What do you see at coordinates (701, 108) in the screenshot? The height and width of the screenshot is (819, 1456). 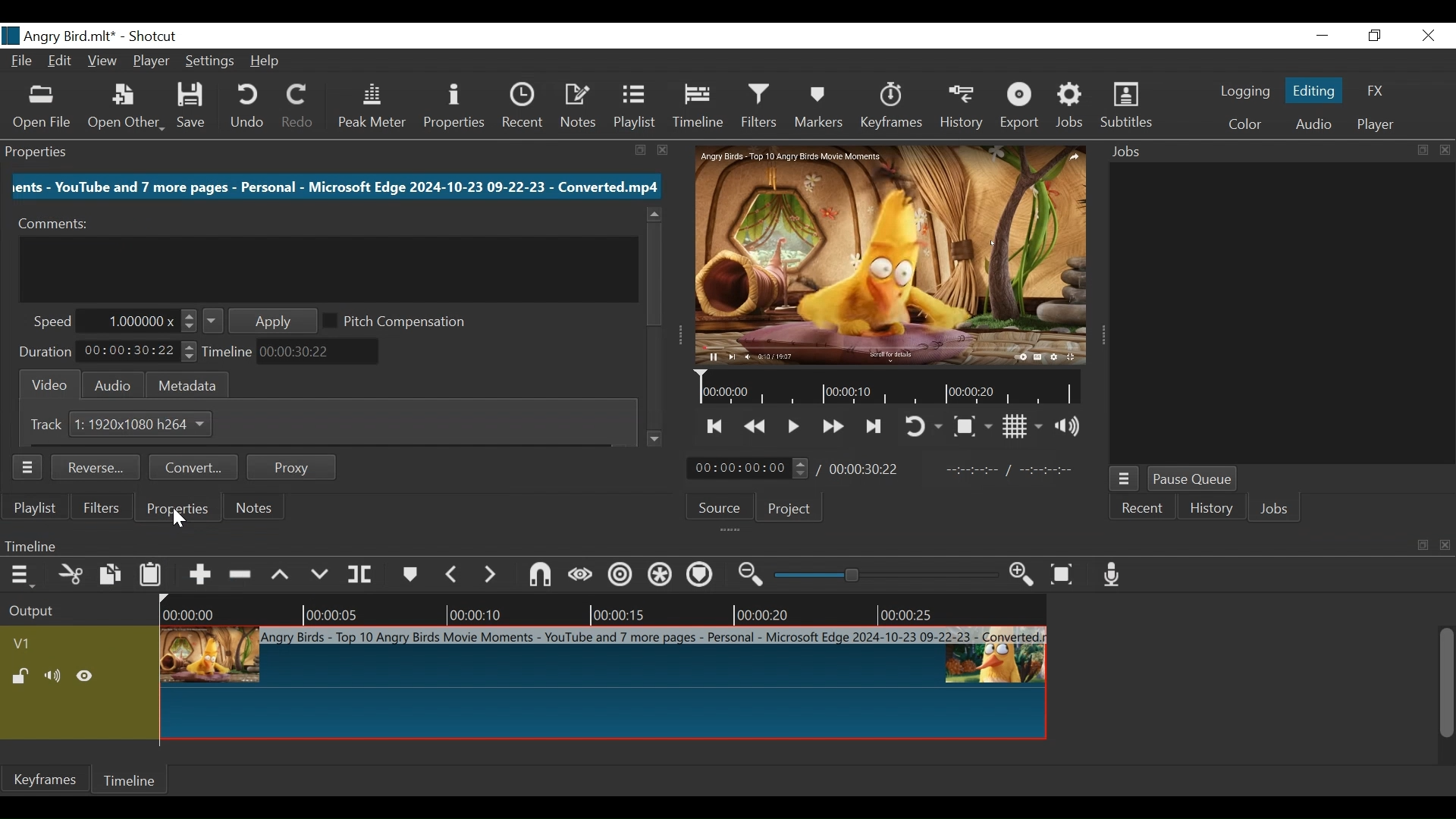 I see `Tiemeline` at bounding box center [701, 108].